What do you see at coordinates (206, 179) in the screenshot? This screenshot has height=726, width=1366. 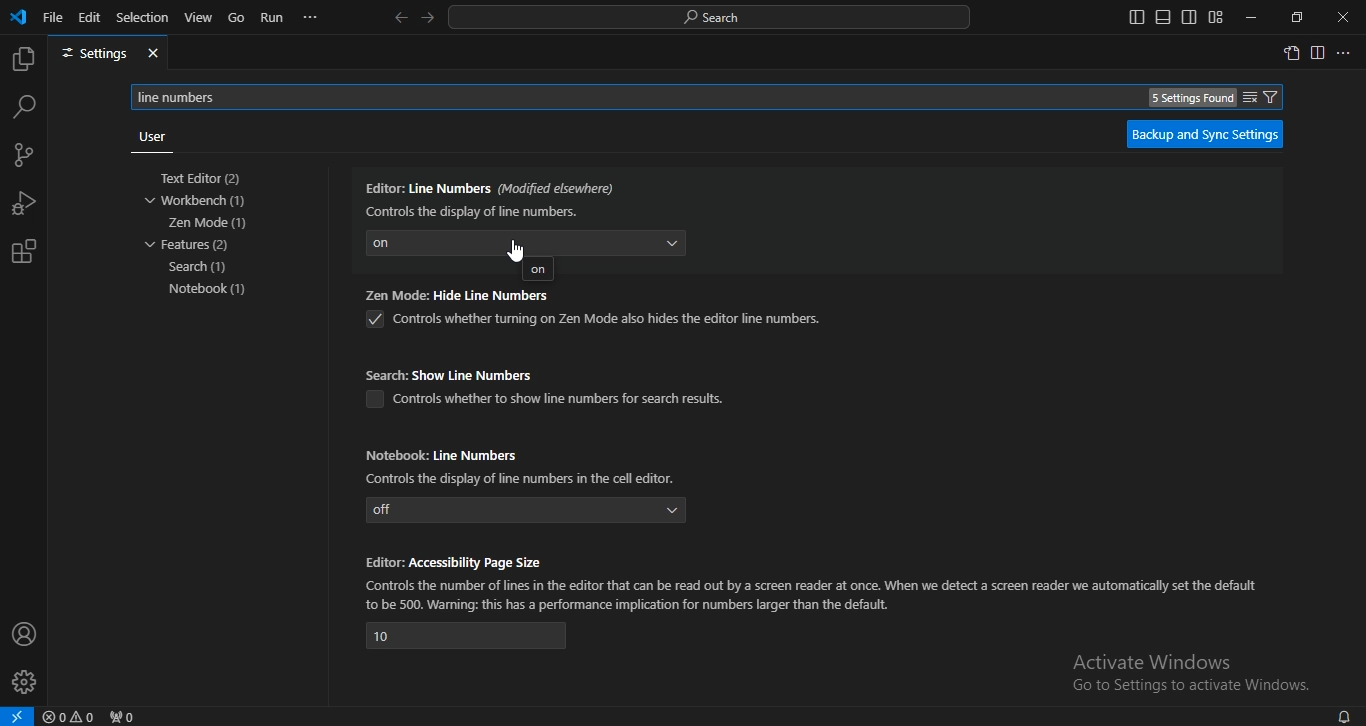 I see `text editor` at bounding box center [206, 179].